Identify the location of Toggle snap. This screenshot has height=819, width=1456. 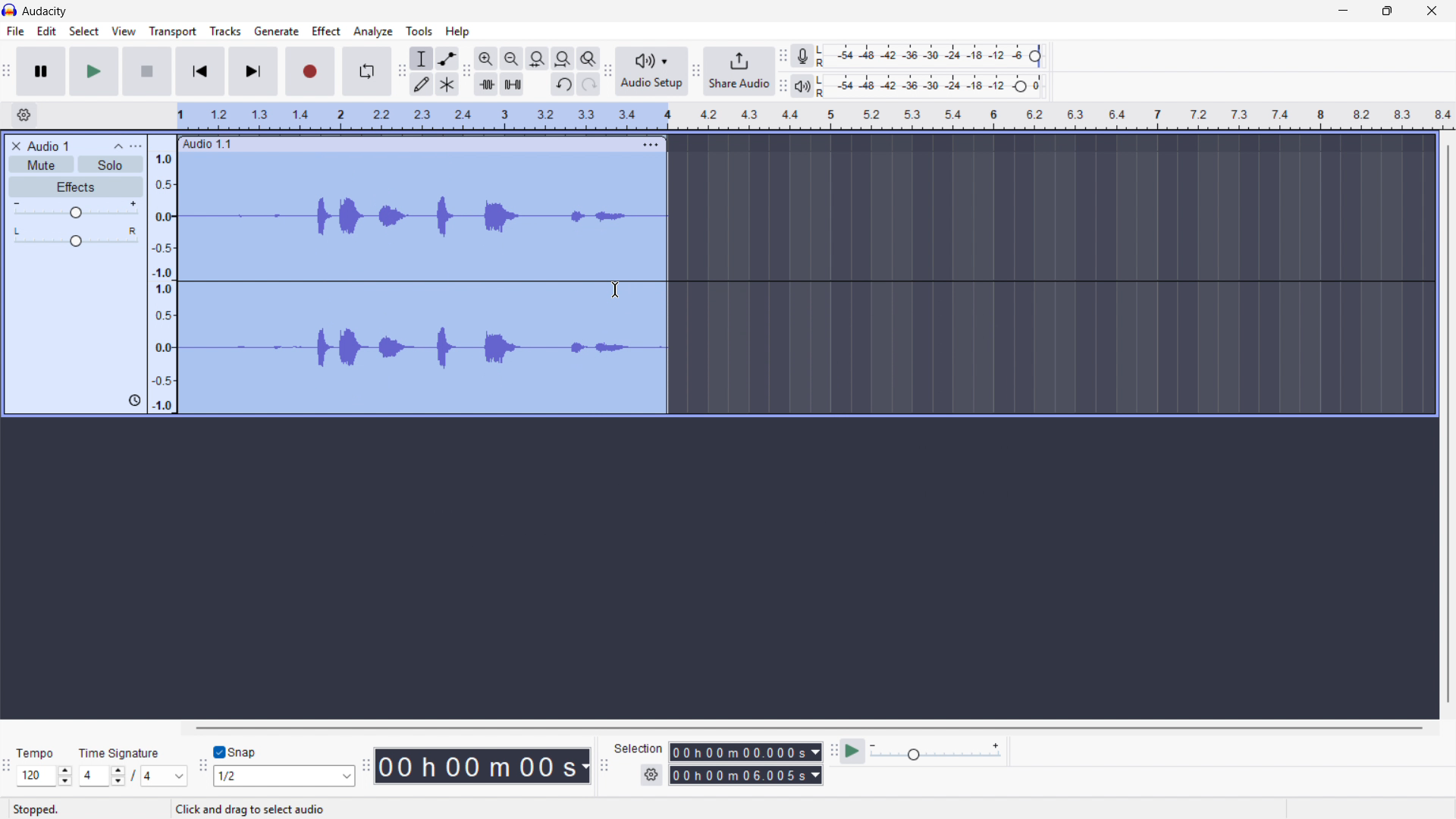
(236, 753).